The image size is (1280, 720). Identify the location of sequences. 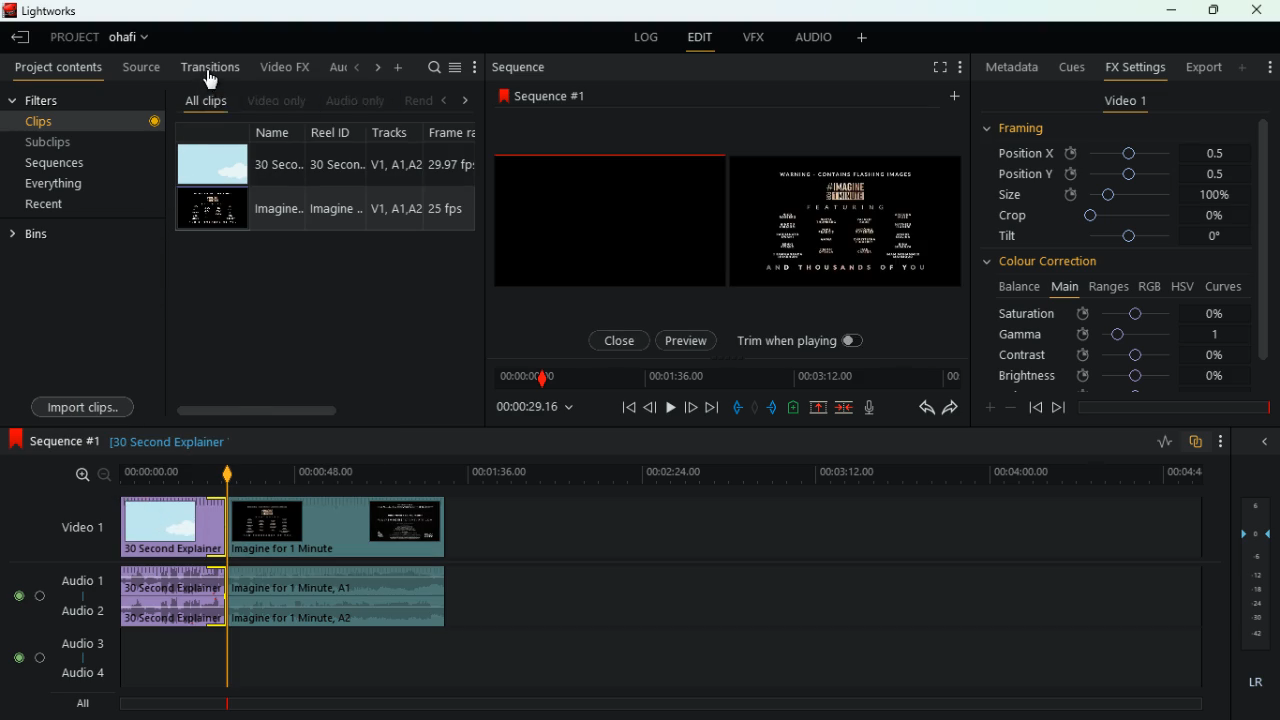
(78, 163).